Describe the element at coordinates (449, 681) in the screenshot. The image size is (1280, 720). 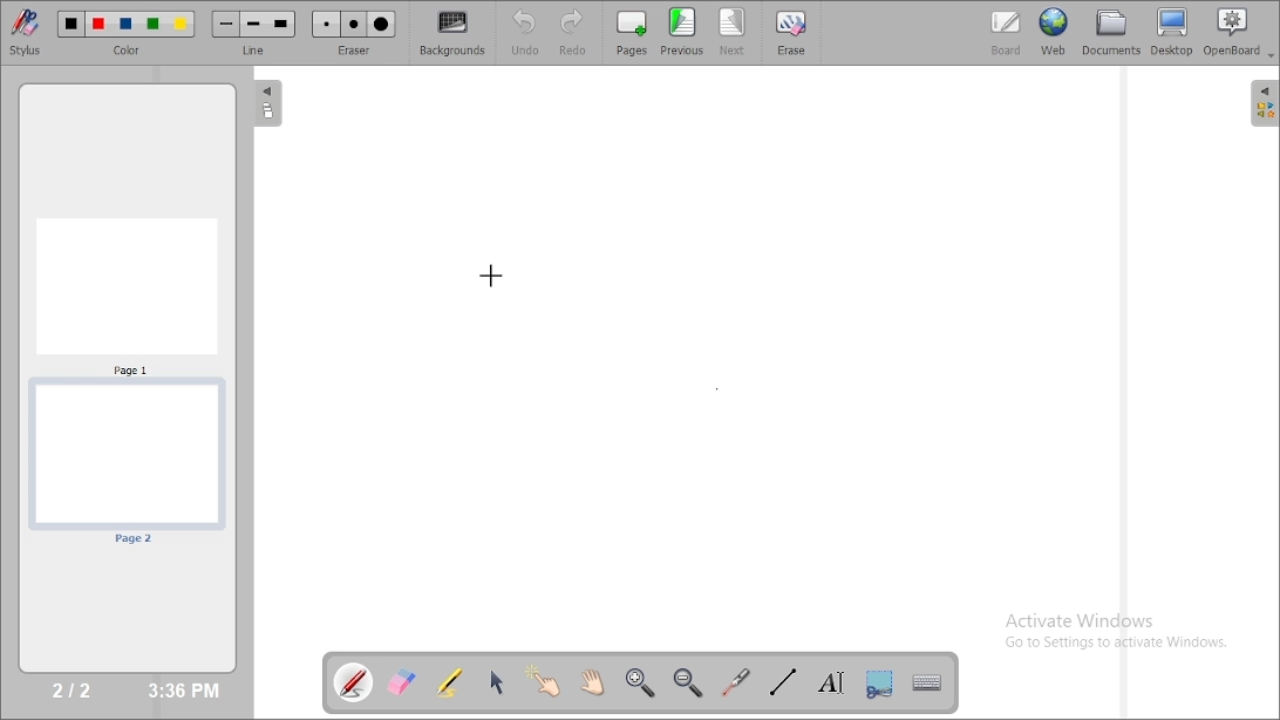
I see `highlight` at that location.